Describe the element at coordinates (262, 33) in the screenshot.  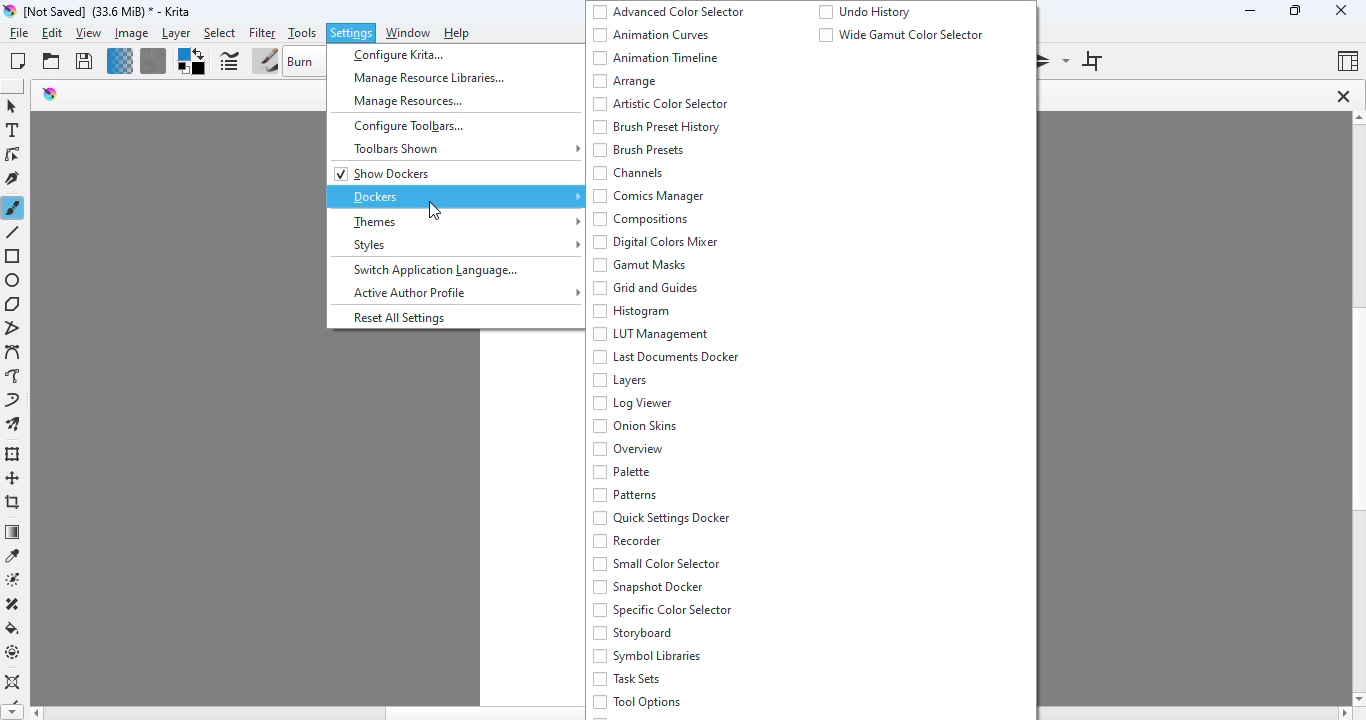
I see `filter` at that location.